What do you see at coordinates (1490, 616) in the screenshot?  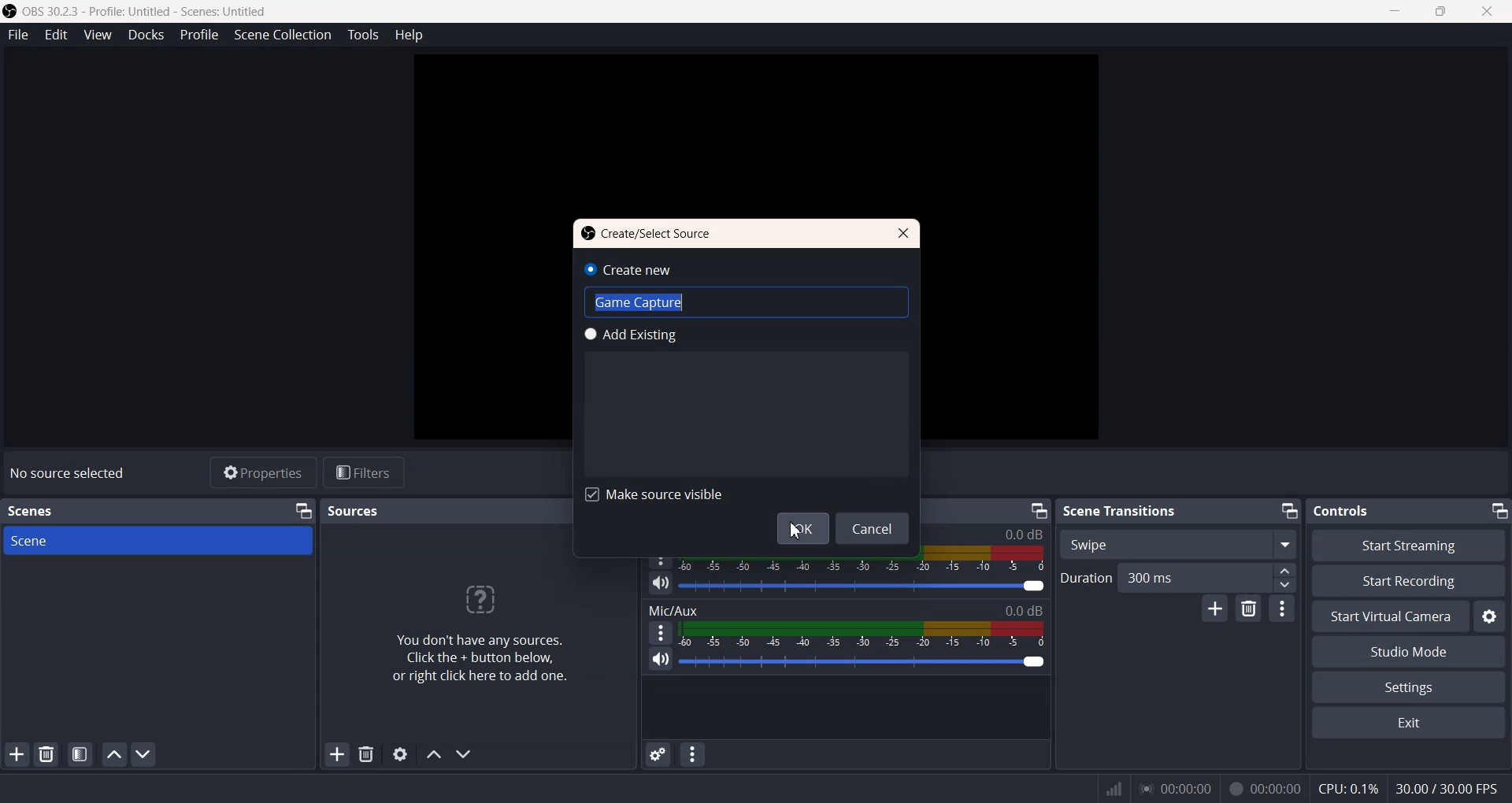 I see `Settings` at bounding box center [1490, 616].